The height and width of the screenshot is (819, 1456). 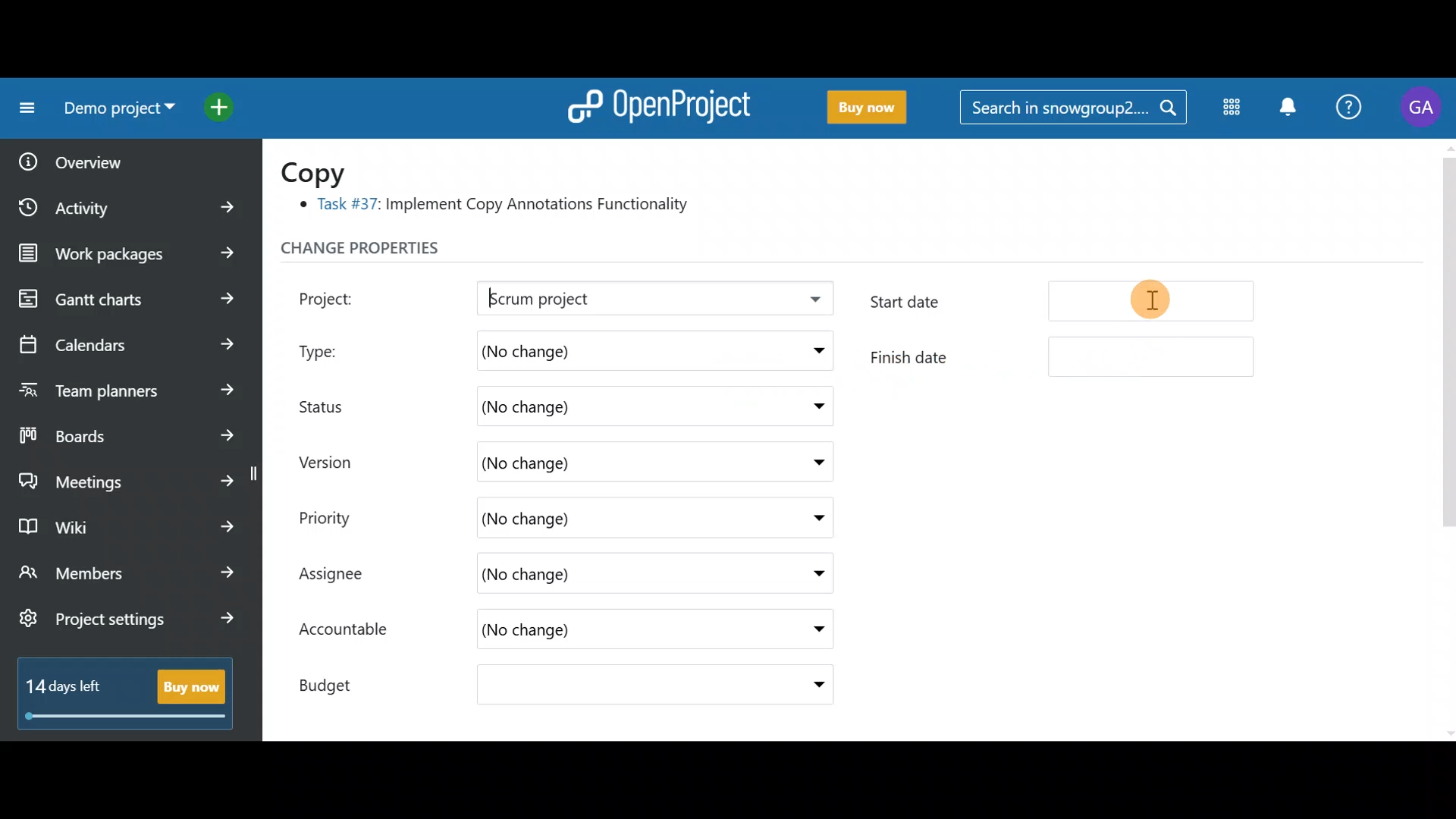 What do you see at coordinates (810, 303) in the screenshot?
I see `Project drop down` at bounding box center [810, 303].